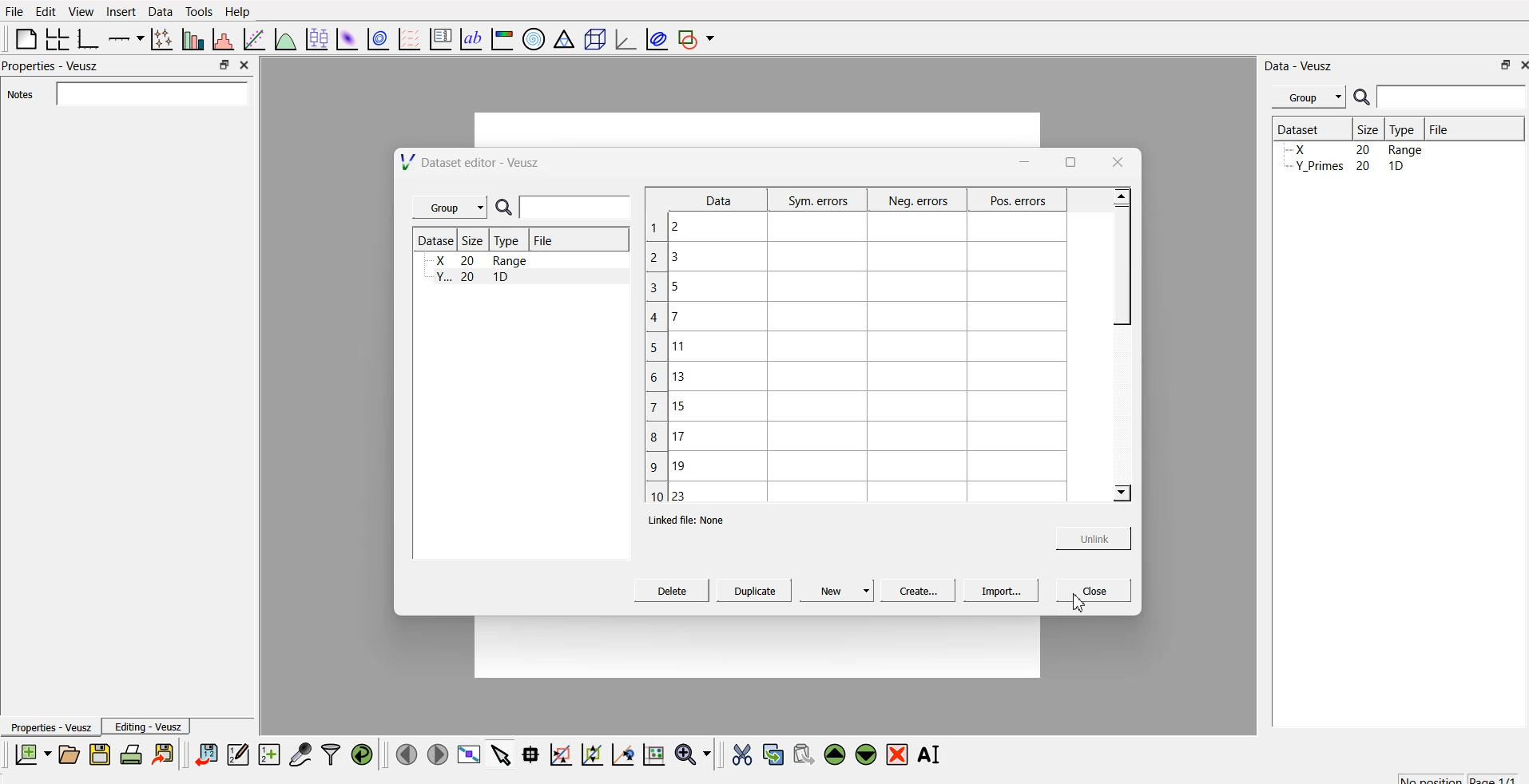 This screenshot has width=1529, height=784. I want to click on zoom out graph axes, so click(621, 754).